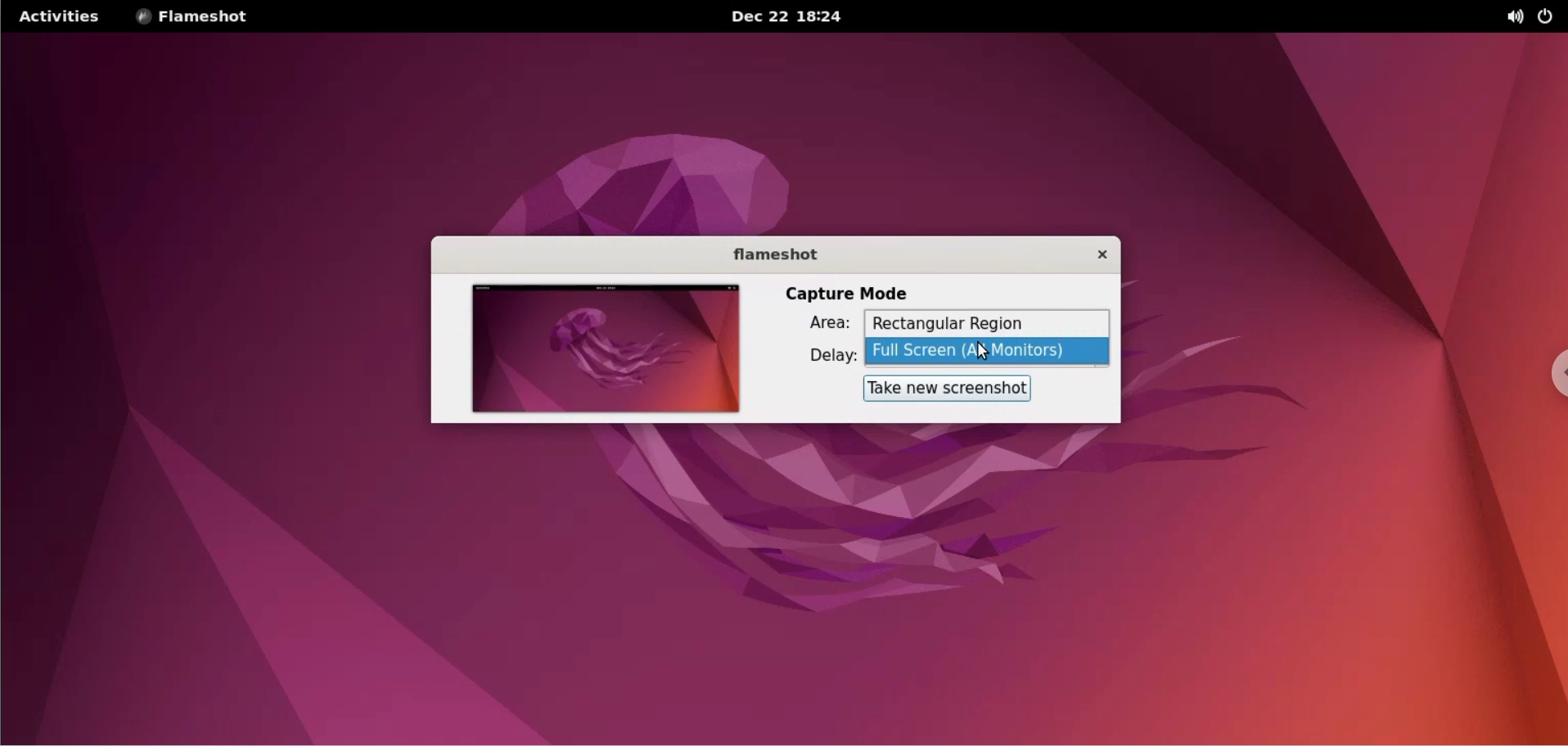 This screenshot has height=746, width=1568. I want to click on take new screenshot, so click(948, 389).